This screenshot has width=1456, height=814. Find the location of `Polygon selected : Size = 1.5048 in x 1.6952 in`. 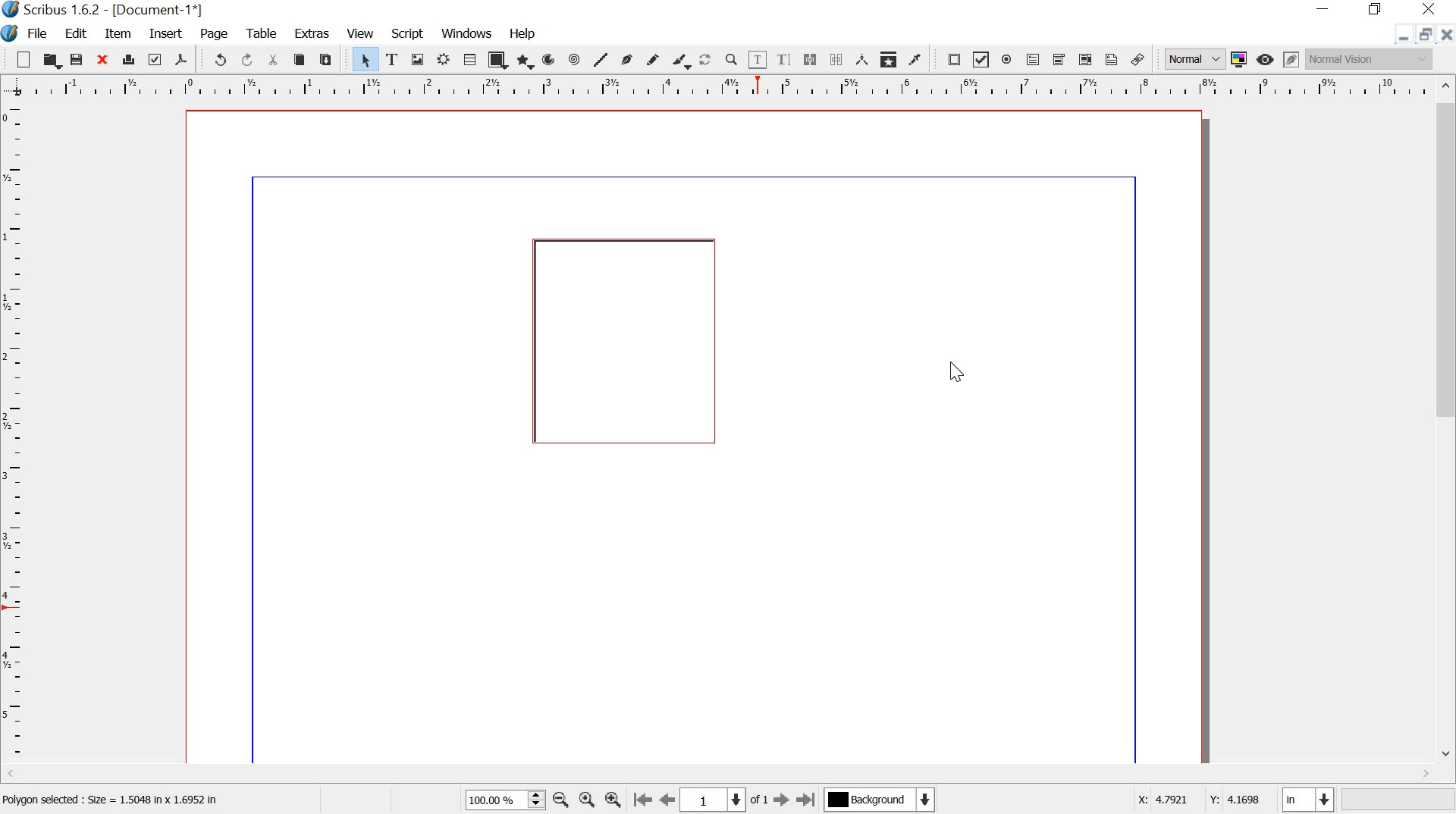

Polygon selected : Size = 1.5048 in x 1.6952 in is located at coordinates (115, 803).